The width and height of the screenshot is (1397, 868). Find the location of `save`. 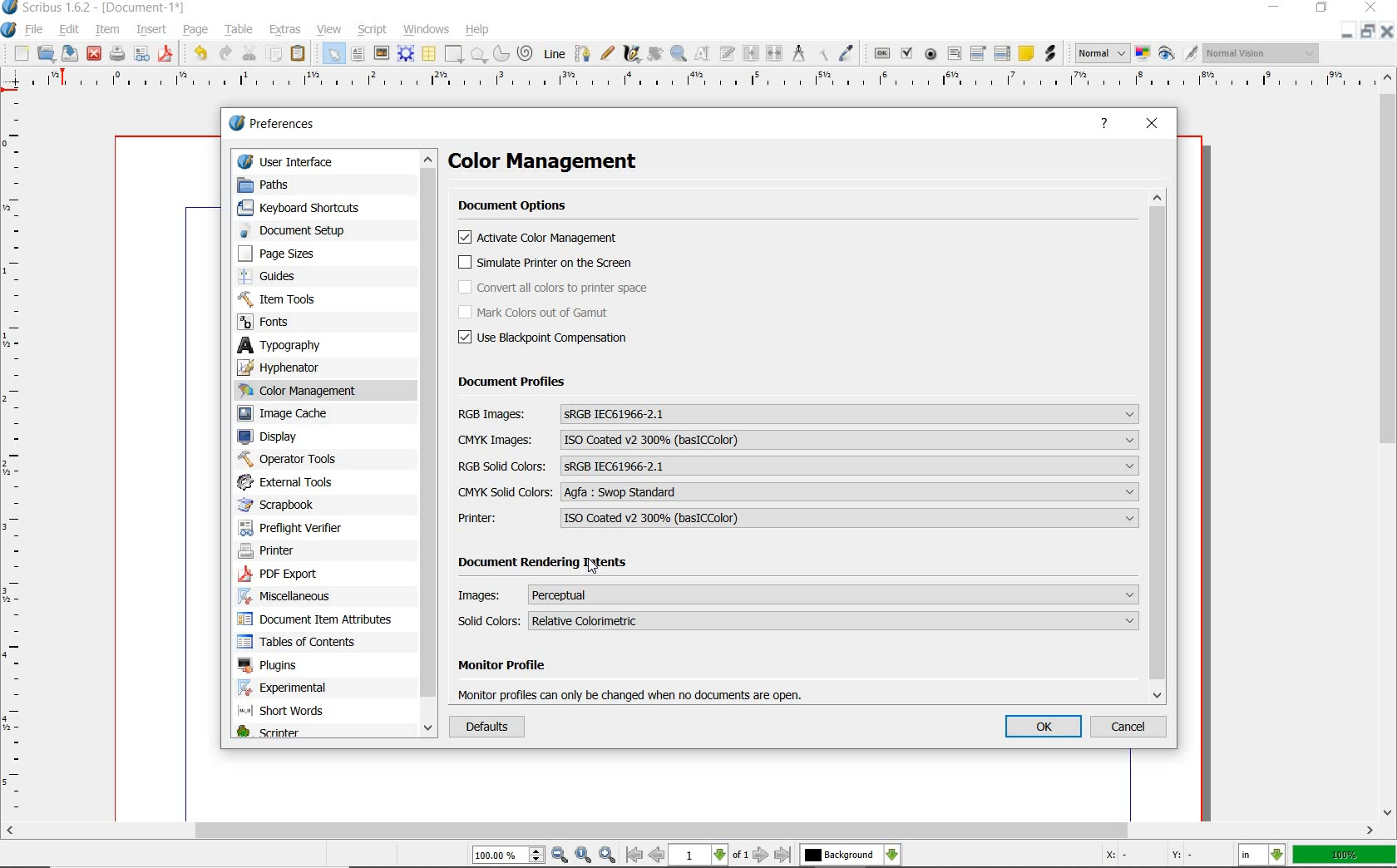

save is located at coordinates (168, 52).